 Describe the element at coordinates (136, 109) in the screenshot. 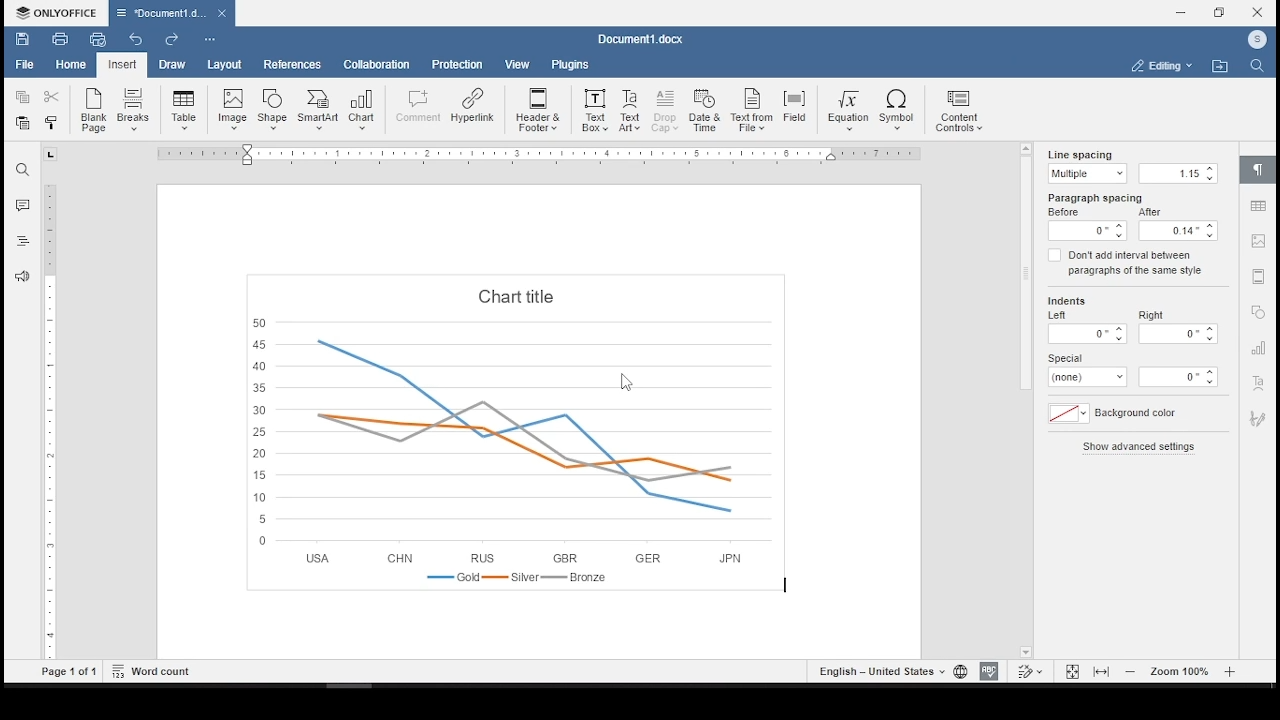

I see `insert page break` at that location.